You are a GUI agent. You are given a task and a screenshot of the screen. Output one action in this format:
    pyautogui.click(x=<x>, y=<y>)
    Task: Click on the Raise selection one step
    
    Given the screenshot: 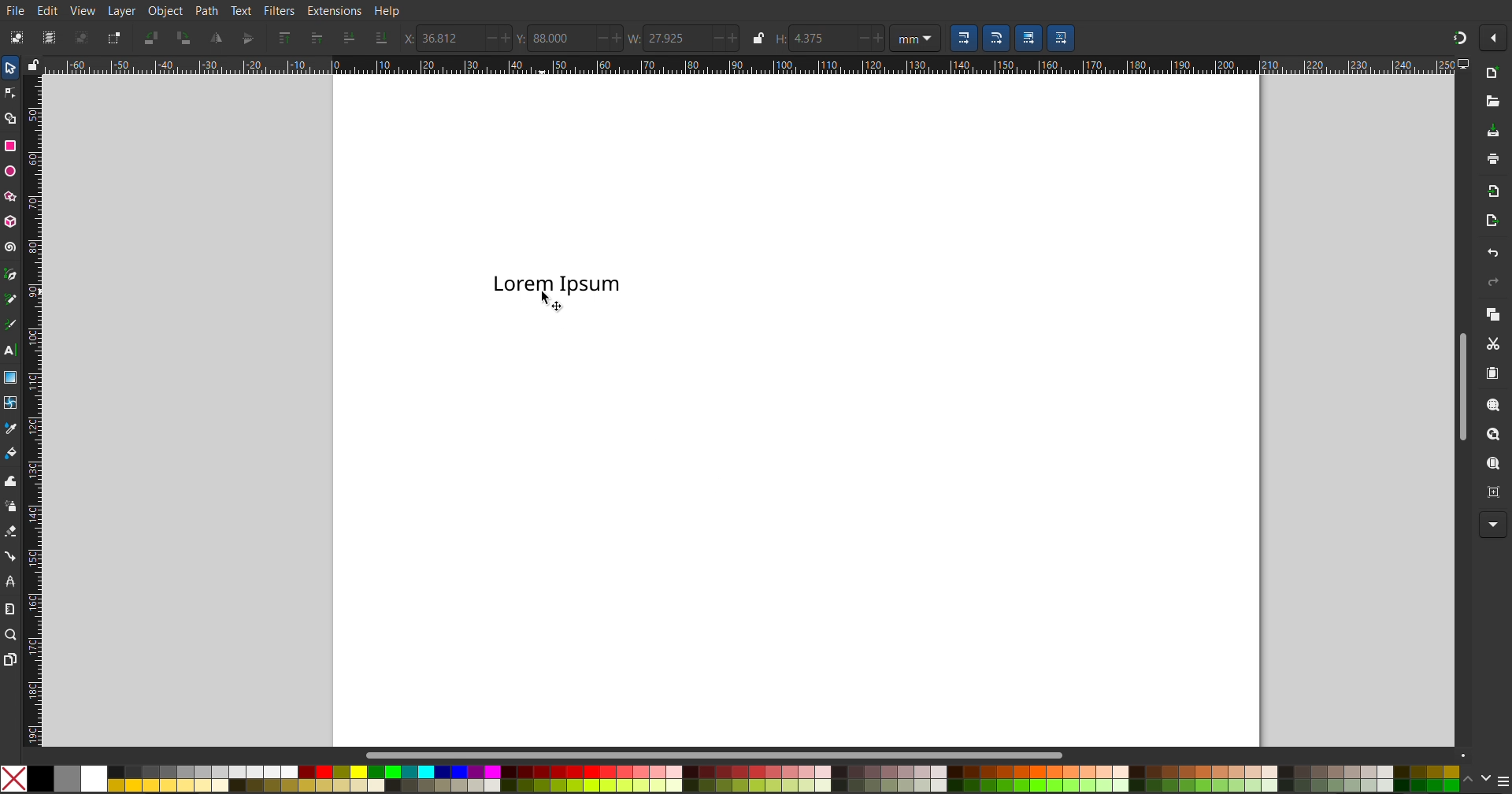 What is the action you would take?
    pyautogui.click(x=316, y=39)
    